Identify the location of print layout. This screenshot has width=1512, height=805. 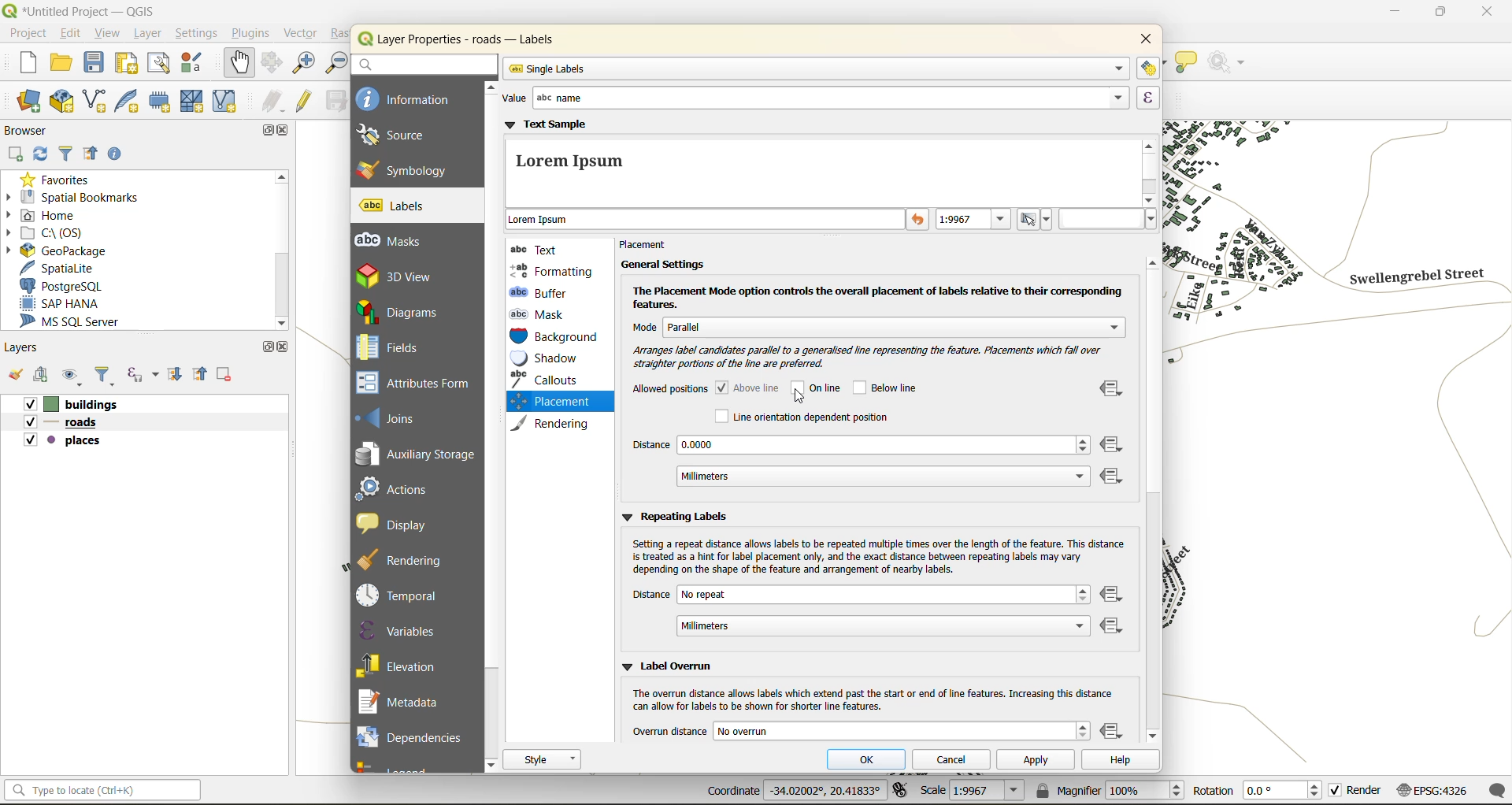
(128, 65).